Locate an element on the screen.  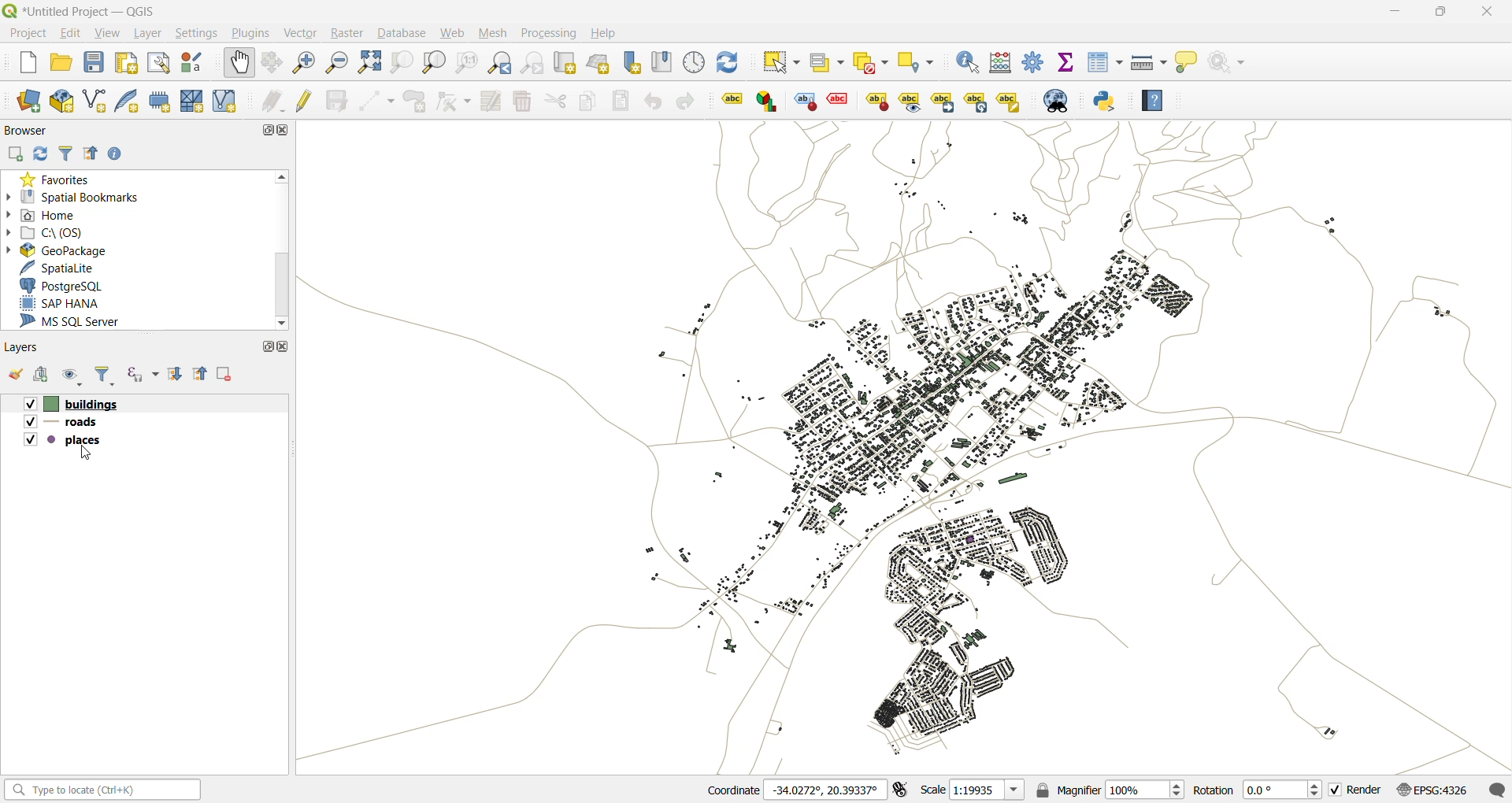
no action is located at coordinates (1228, 65).